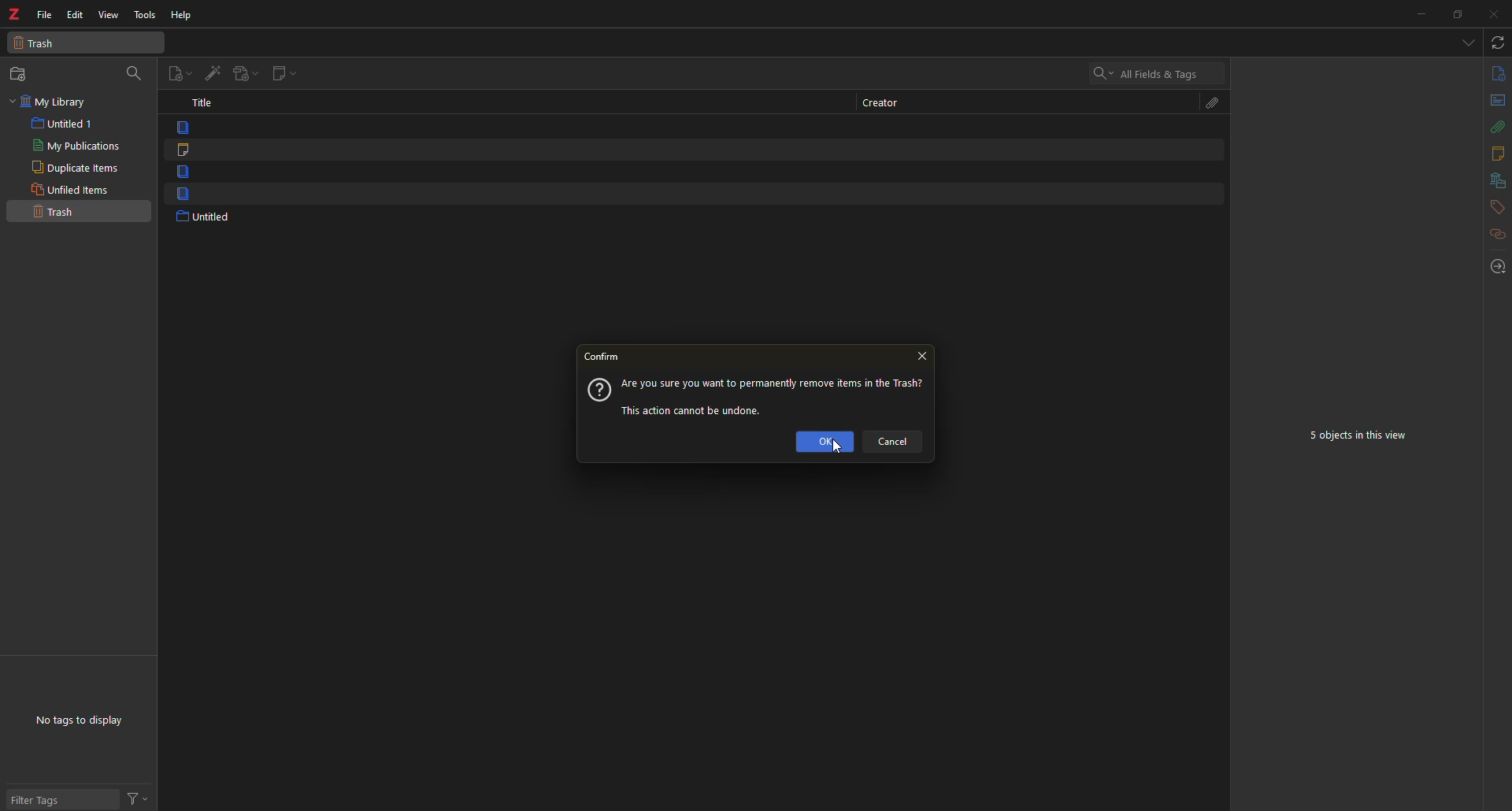 This screenshot has height=811, width=1512. What do you see at coordinates (145, 15) in the screenshot?
I see `tools` at bounding box center [145, 15].